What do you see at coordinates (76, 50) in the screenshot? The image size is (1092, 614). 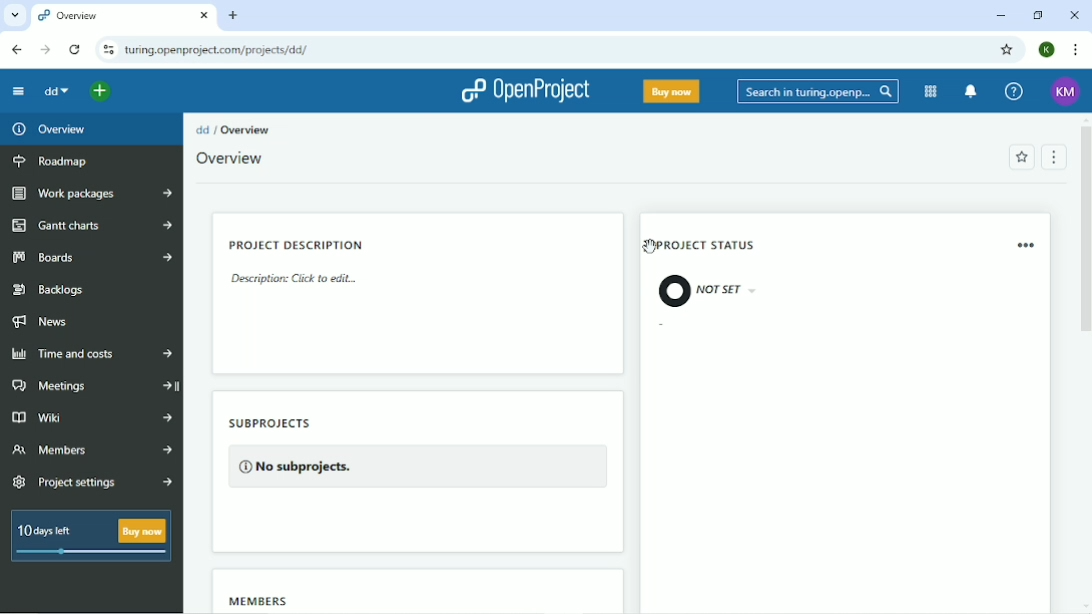 I see `Reload this page` at bounding box center [76, 50].